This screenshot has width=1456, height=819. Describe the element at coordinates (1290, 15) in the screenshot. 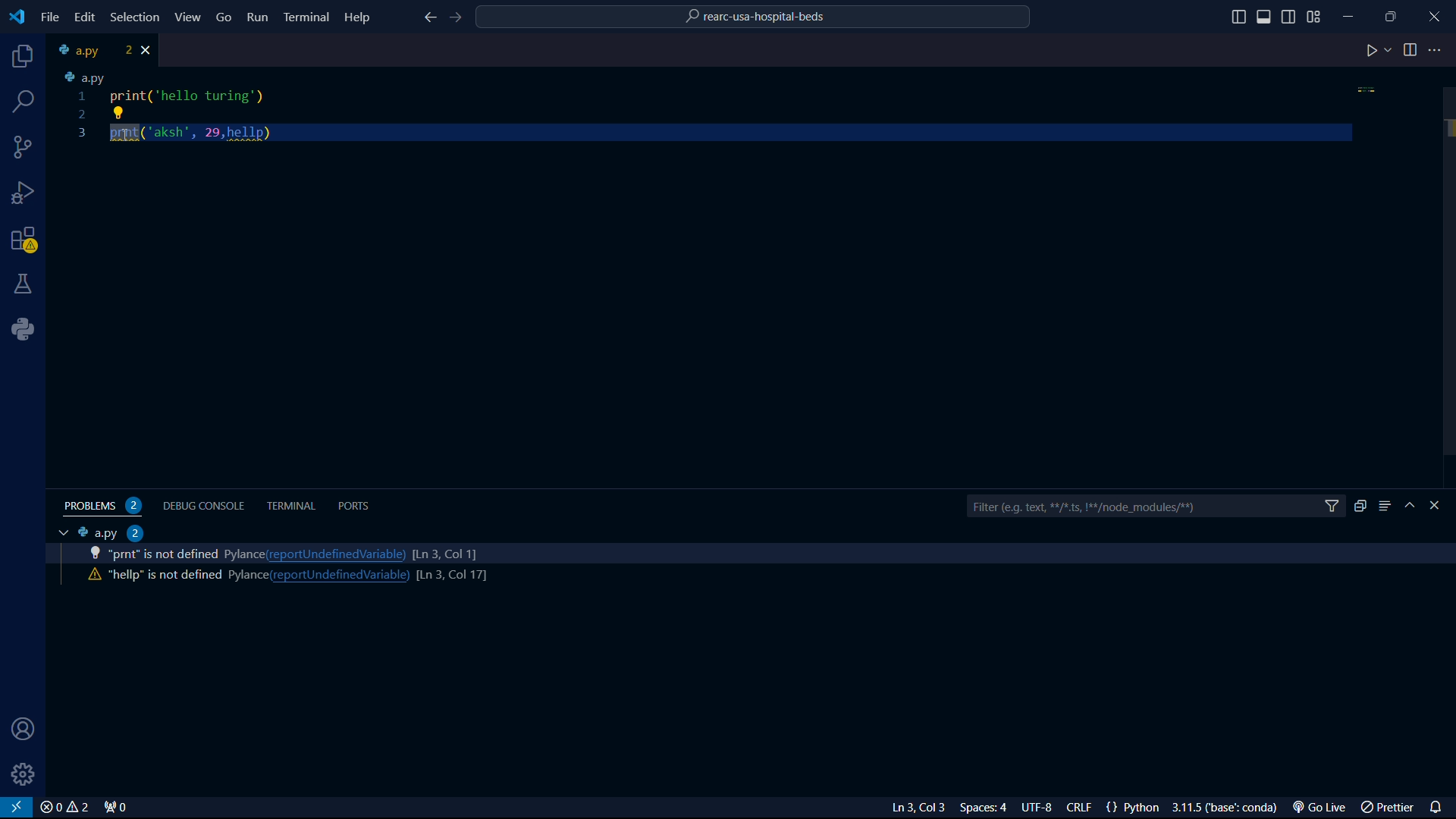

I see `toggle sidebar` at that location.